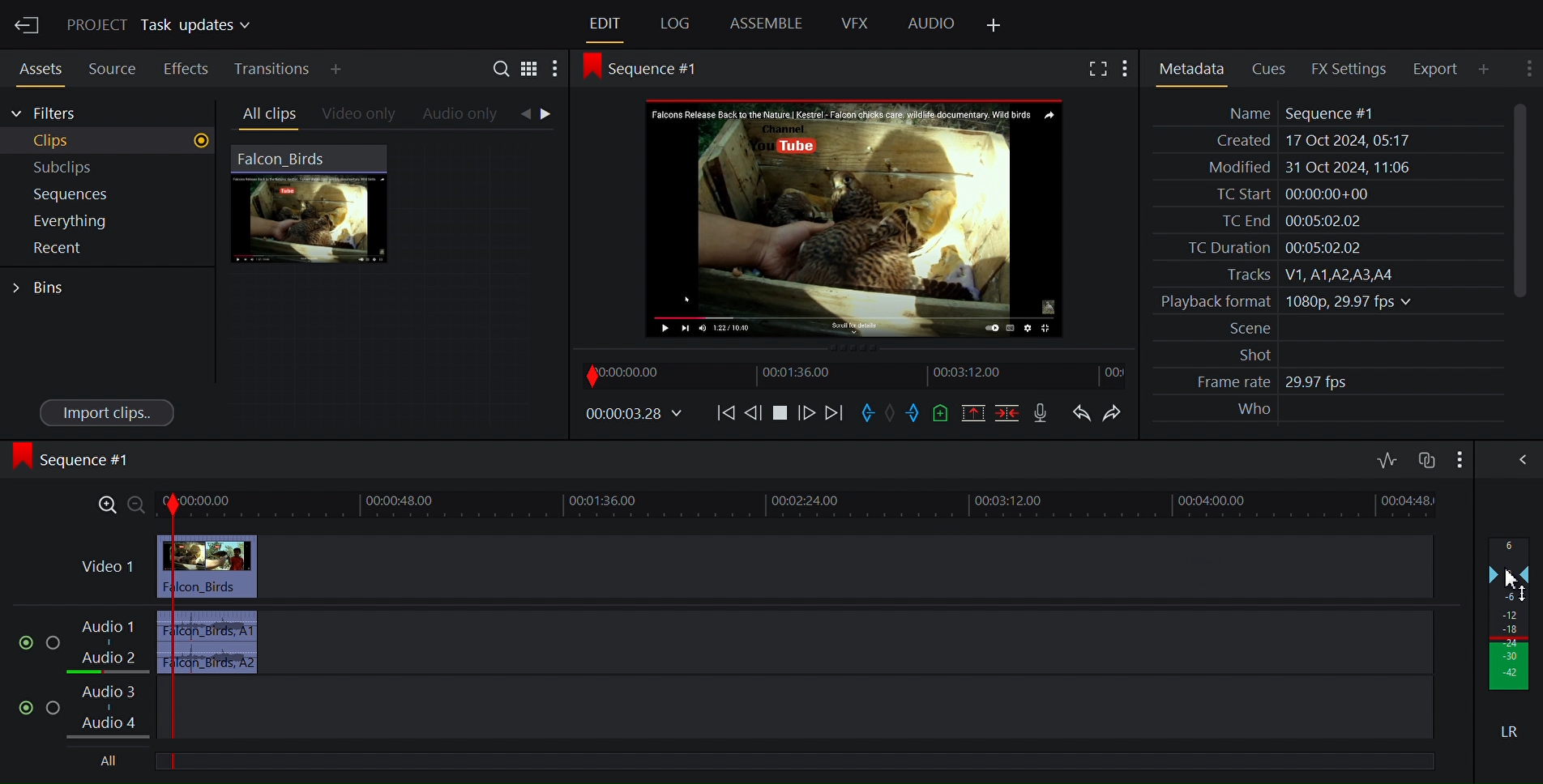  Describe the element at coordinates (98, 222) in the screenshot. I see `Everything` at that location.